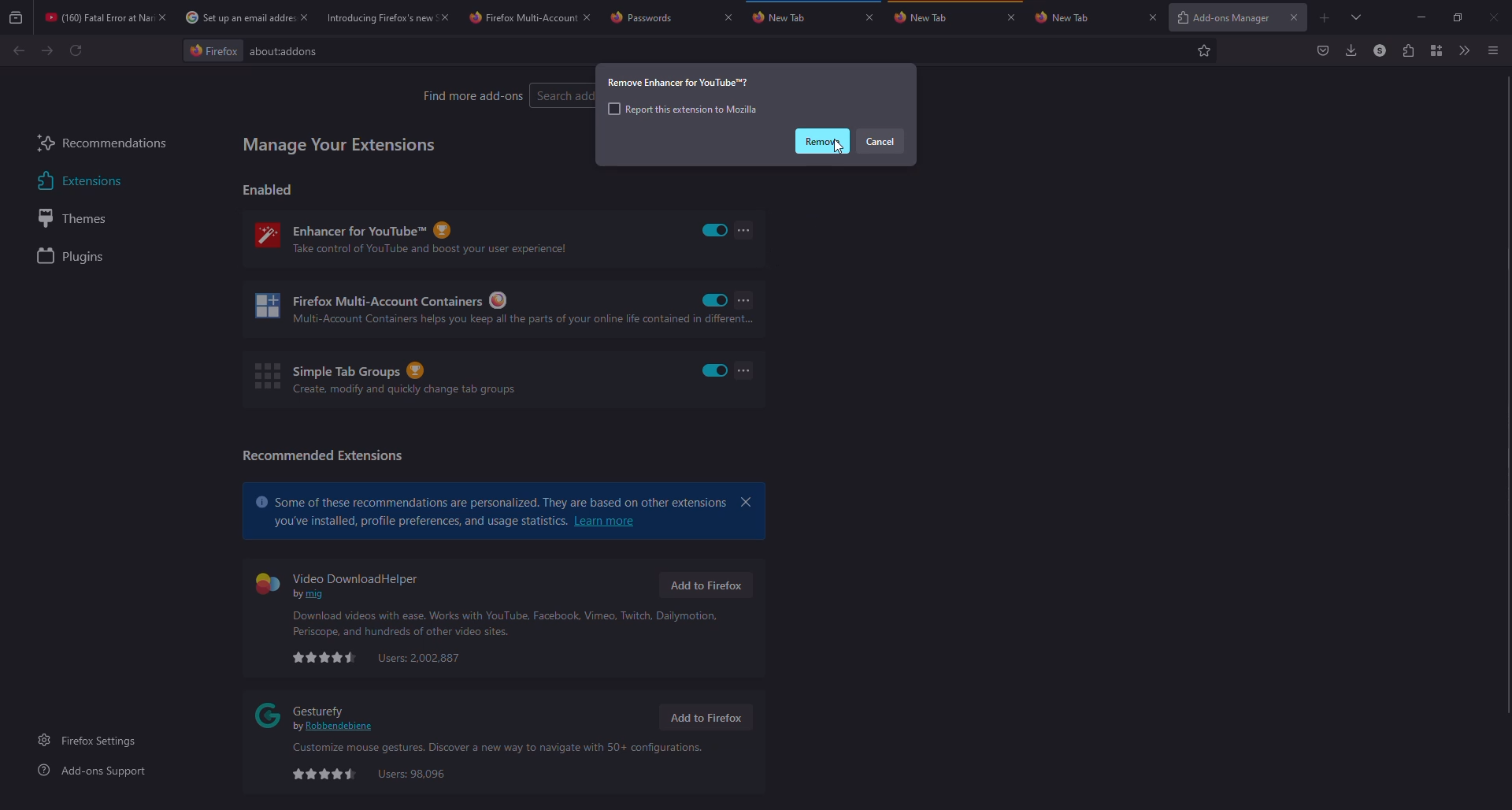  What do you see at coordinates (1462, 50) in the screenshot?
I see `more tools` at bounding box center [1462, 50].